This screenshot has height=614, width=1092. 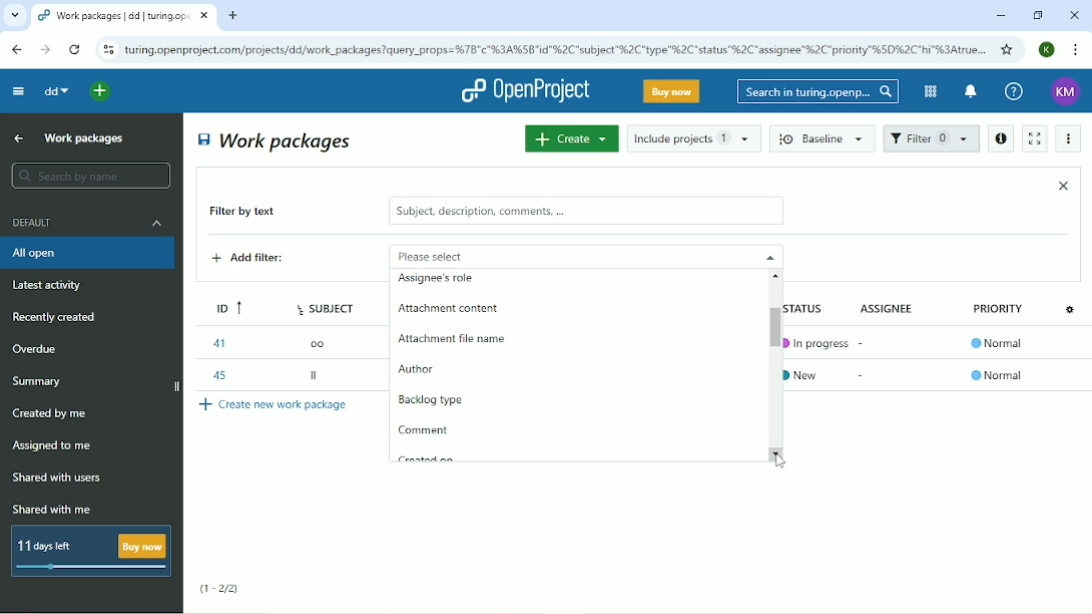 I want to click on Assignee's role, so click(x=440, y=280).